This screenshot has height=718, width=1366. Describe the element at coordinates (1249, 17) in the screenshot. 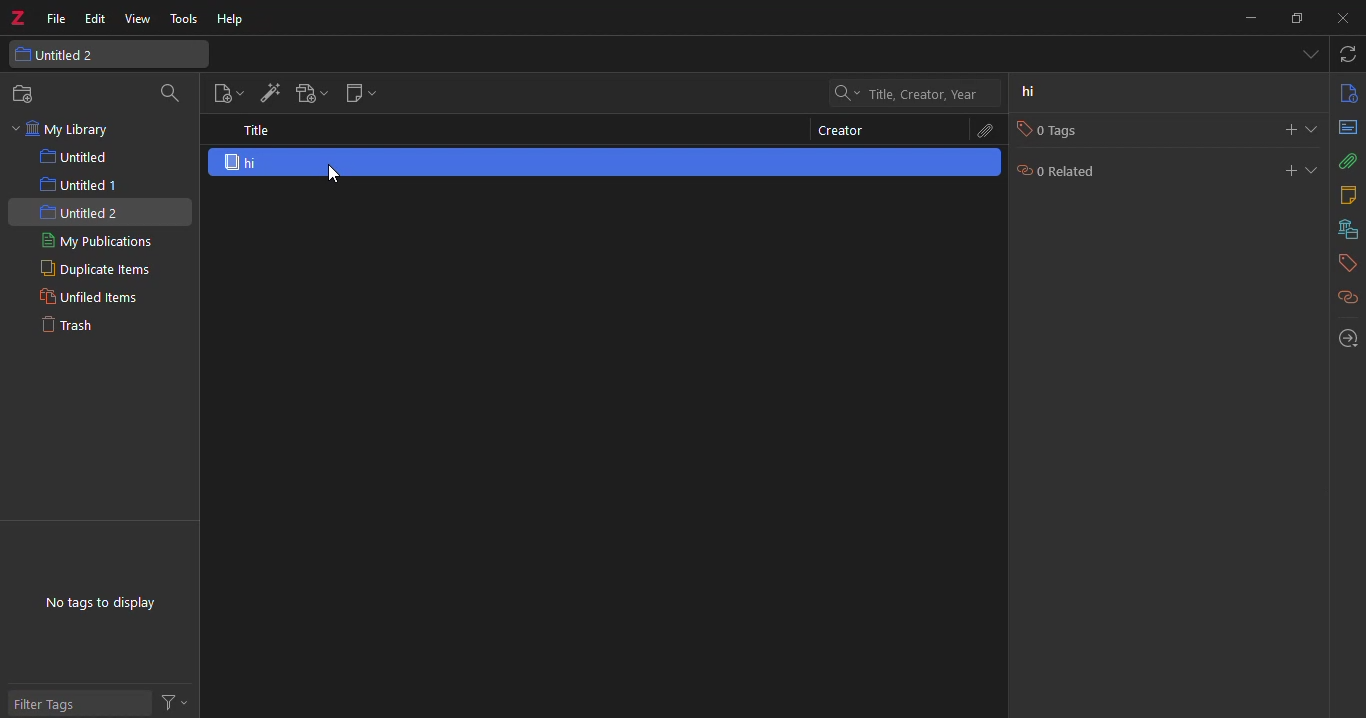

I see `munimize` at that location.